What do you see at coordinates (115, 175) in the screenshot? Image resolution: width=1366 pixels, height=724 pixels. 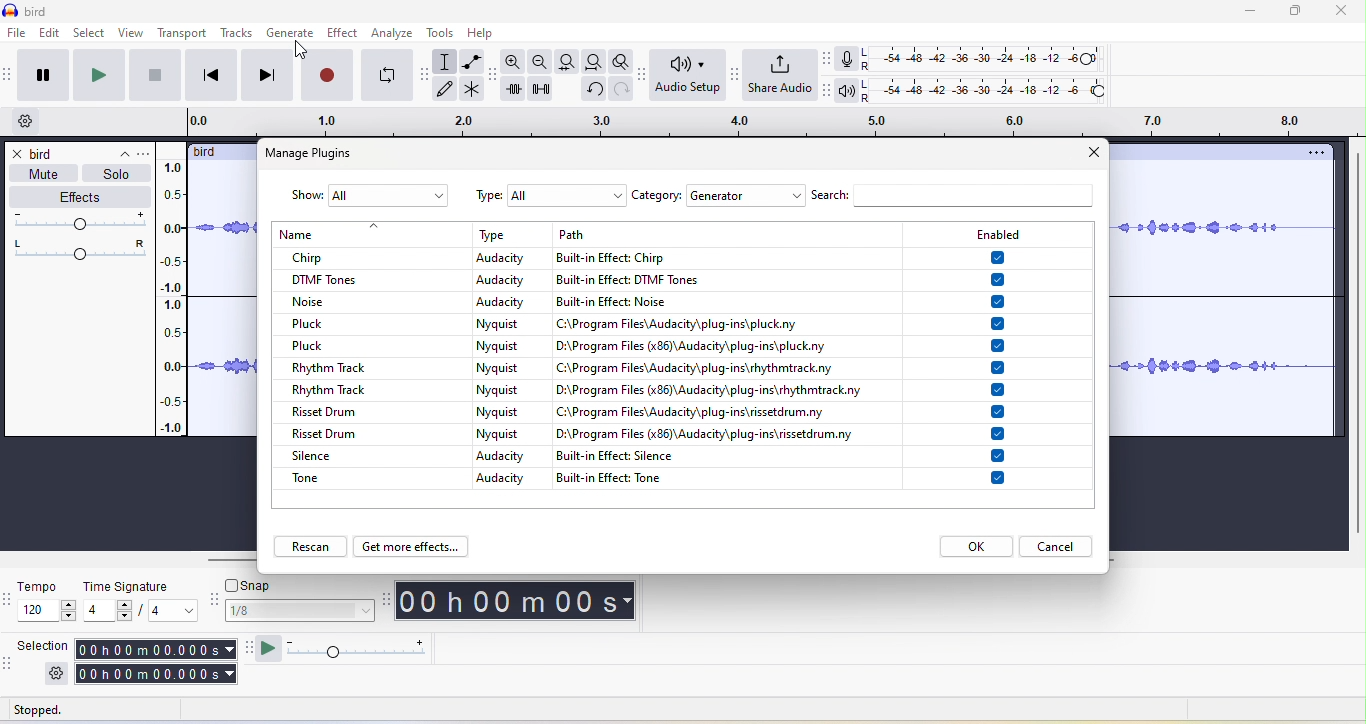 I see `solo` at bounding box center [115, 175].